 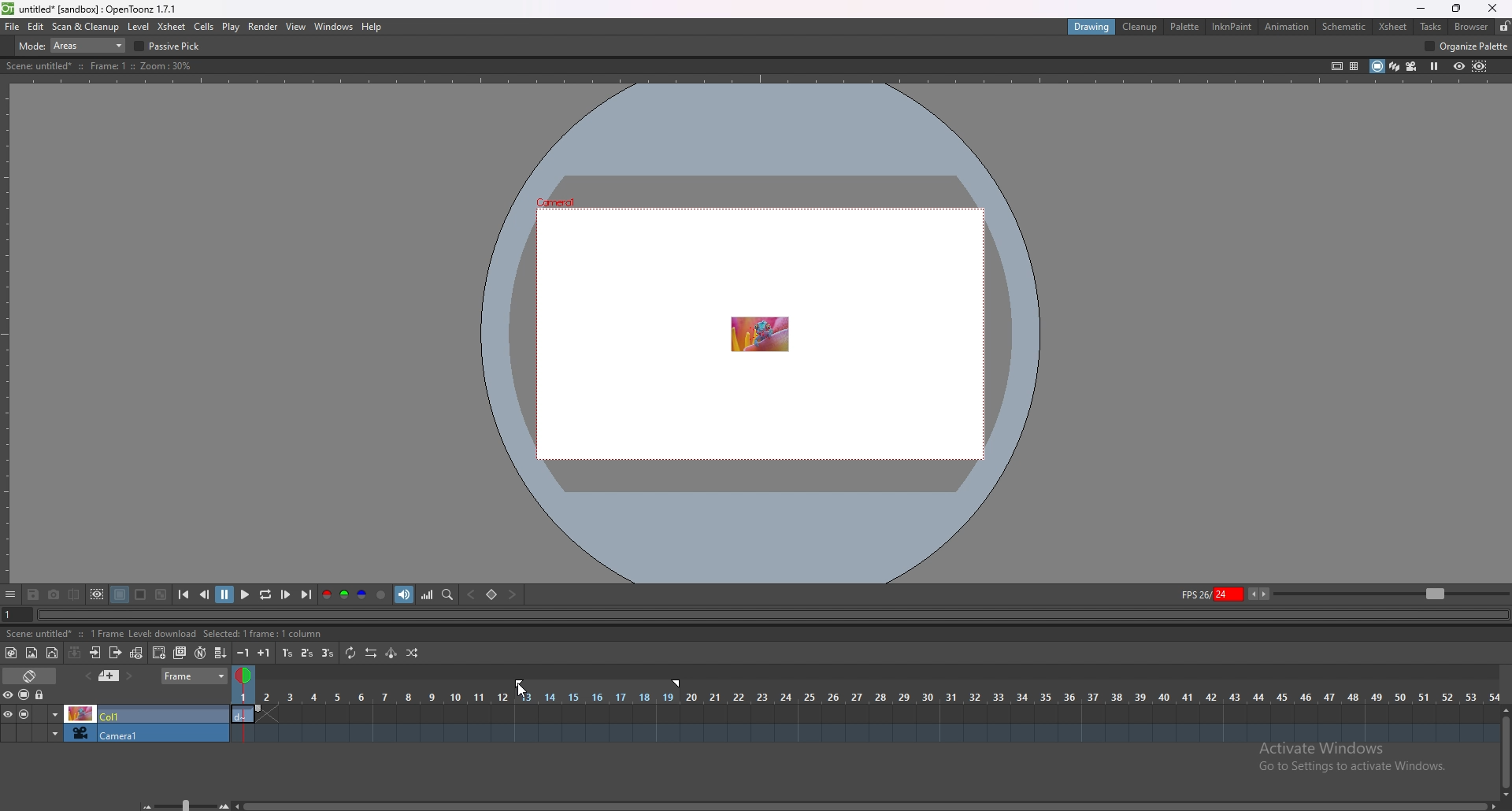 I want to click on camera, so click(x=115, y=732).